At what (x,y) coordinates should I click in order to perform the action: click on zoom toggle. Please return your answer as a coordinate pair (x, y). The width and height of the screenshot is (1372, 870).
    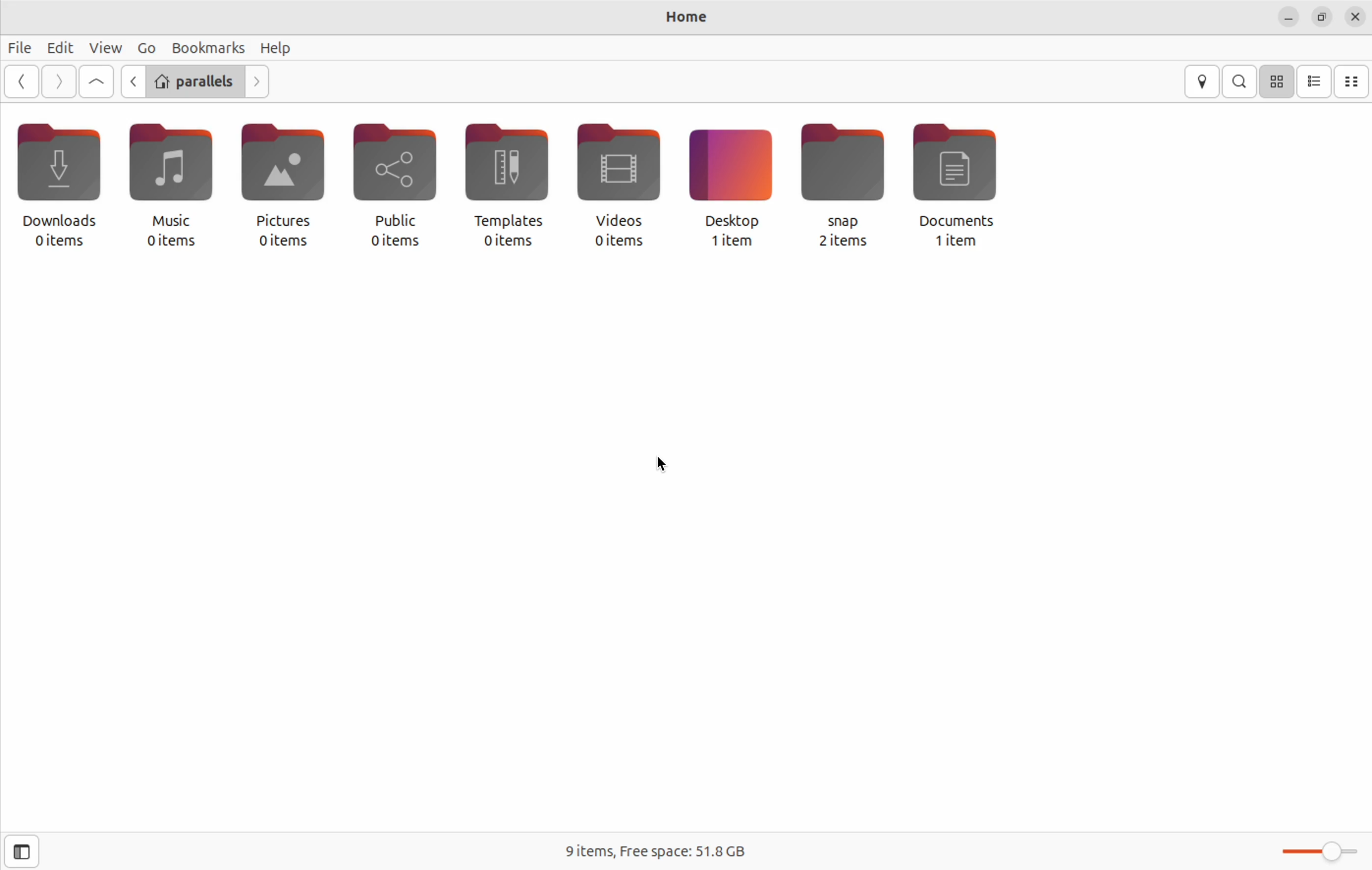
    Looking at the image, I should click on (1322, 854).